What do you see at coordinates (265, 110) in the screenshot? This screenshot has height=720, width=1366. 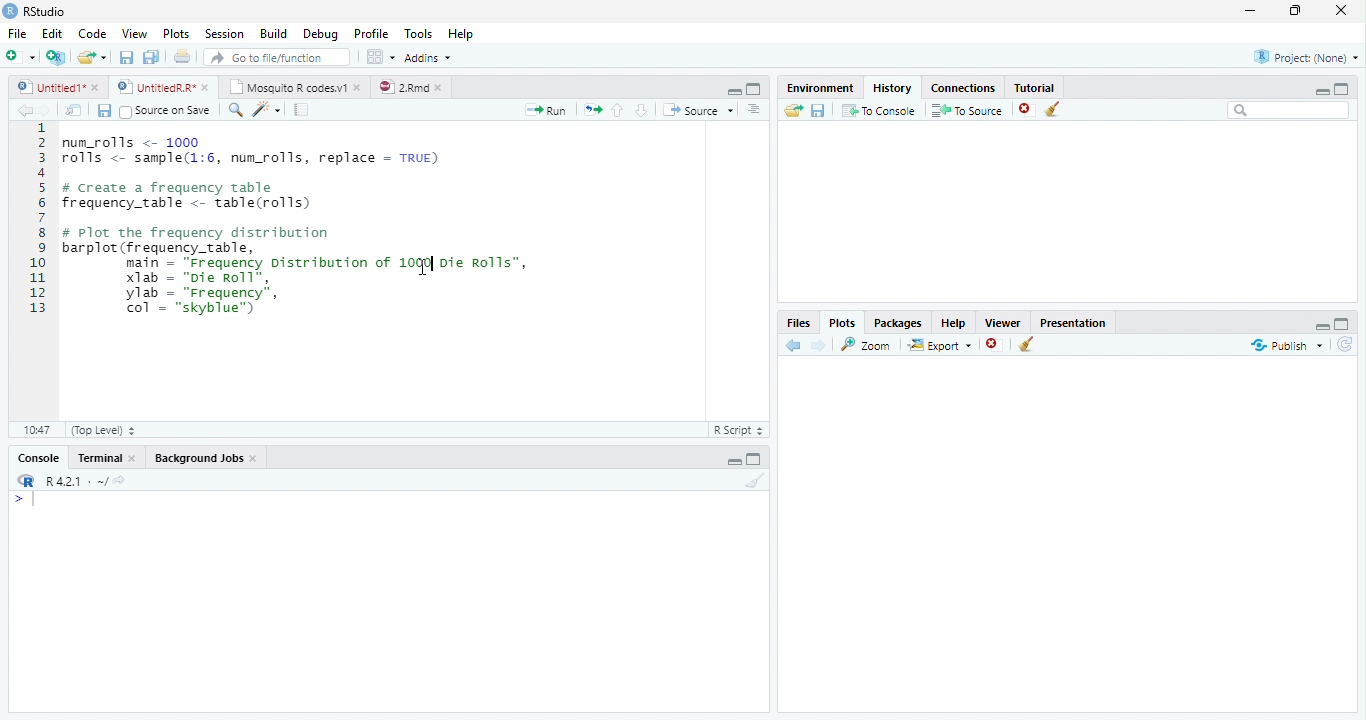 I see `Code Tools` at bounding box center [265, 110].